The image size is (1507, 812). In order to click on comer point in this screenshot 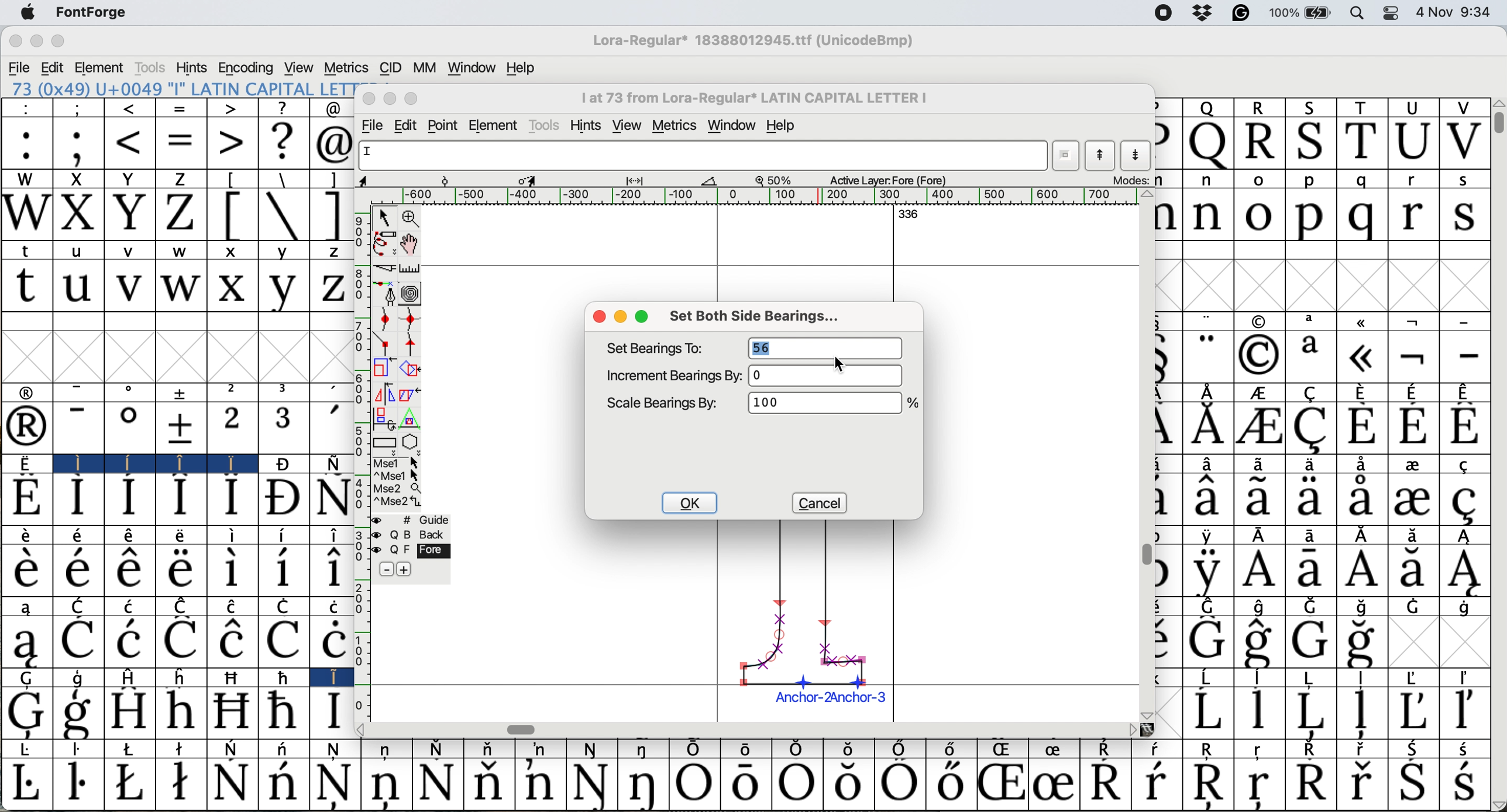, I will do `click(384, 345)`.